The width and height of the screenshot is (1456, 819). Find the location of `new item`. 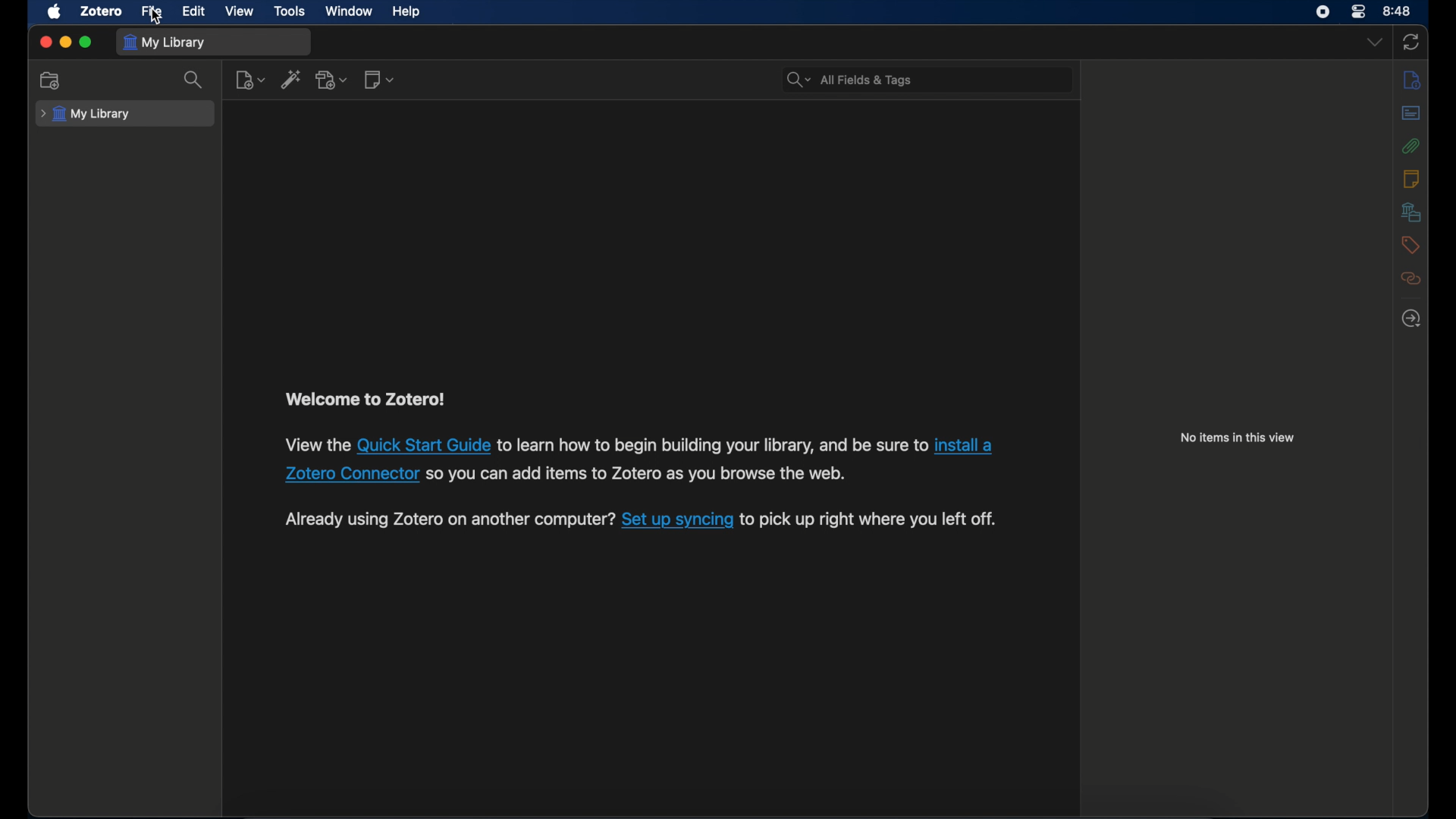

new item is located at coordinates (249, 80).